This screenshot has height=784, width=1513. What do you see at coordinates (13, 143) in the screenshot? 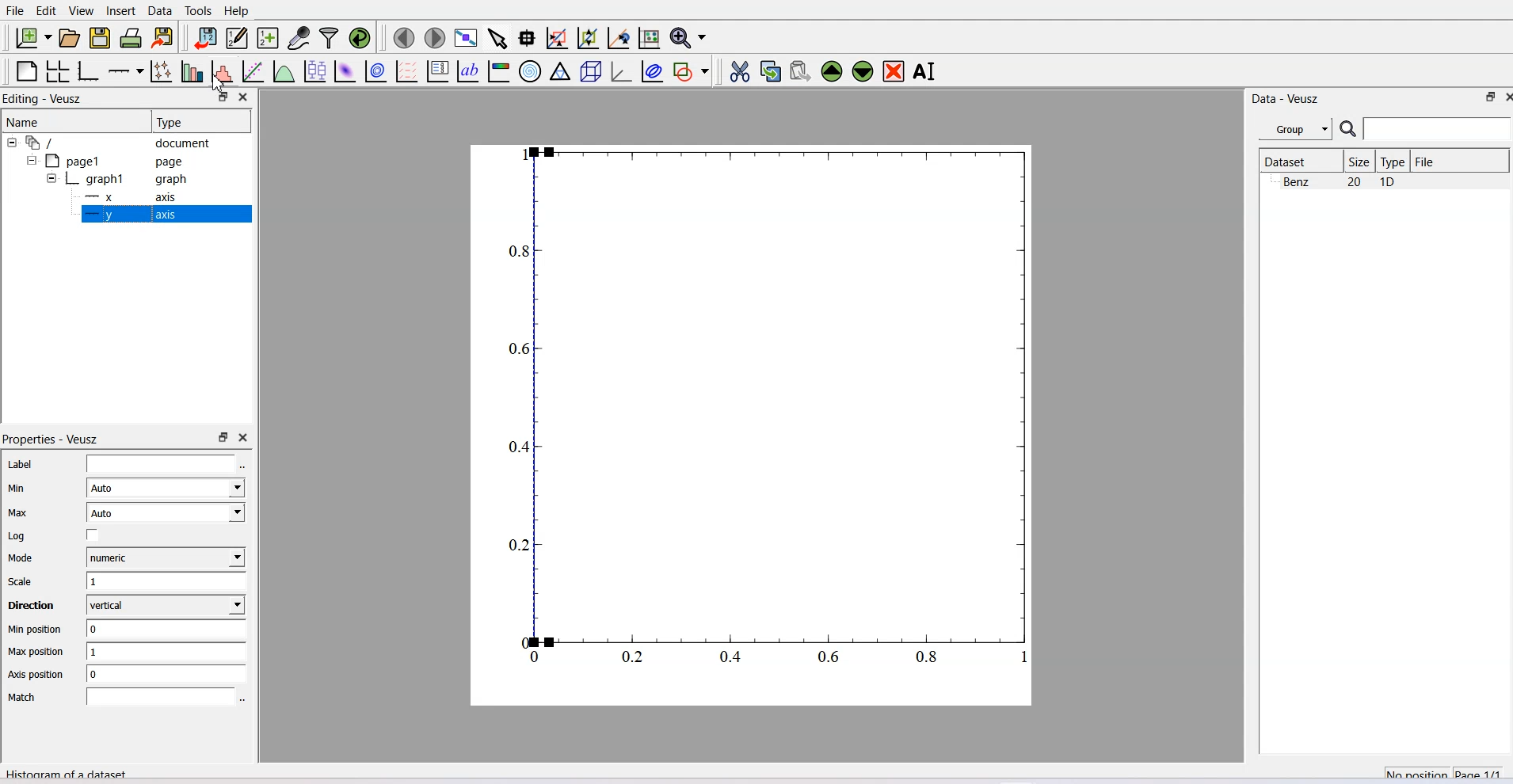
I see `Collapse` at bounding box center [13, 143].